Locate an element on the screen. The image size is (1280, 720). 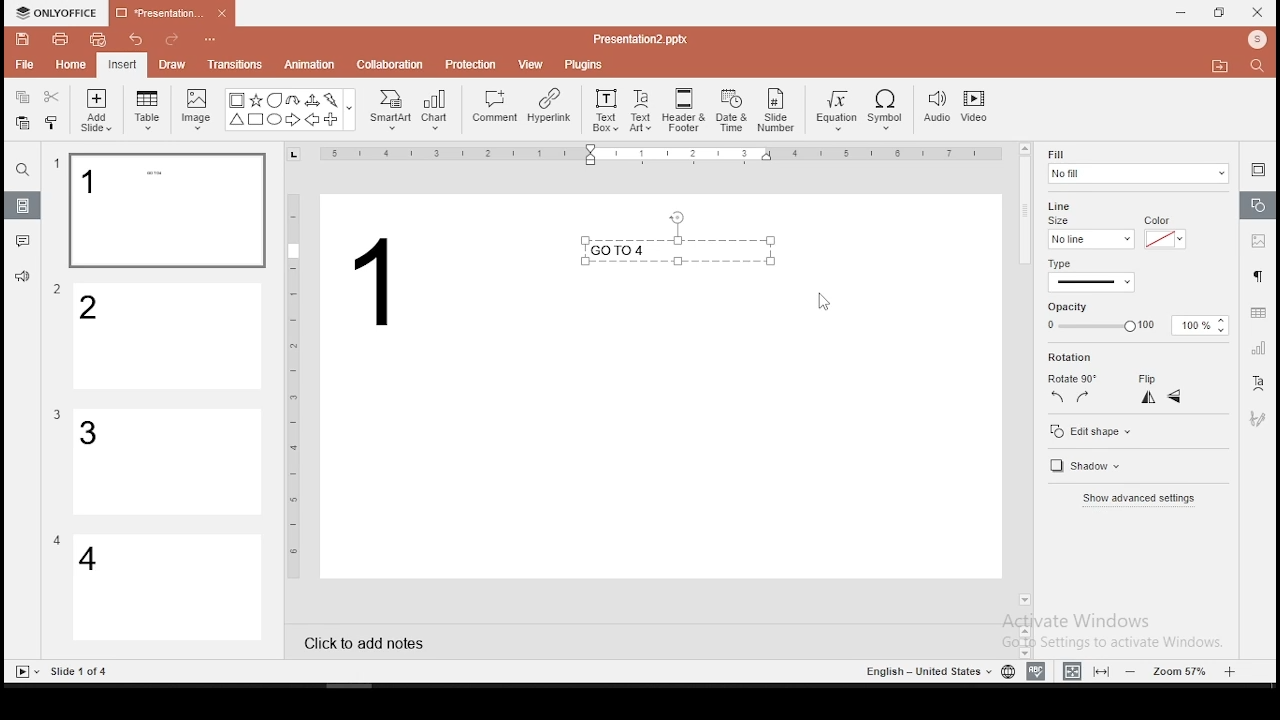
draw is located at coordinates (173, 64).